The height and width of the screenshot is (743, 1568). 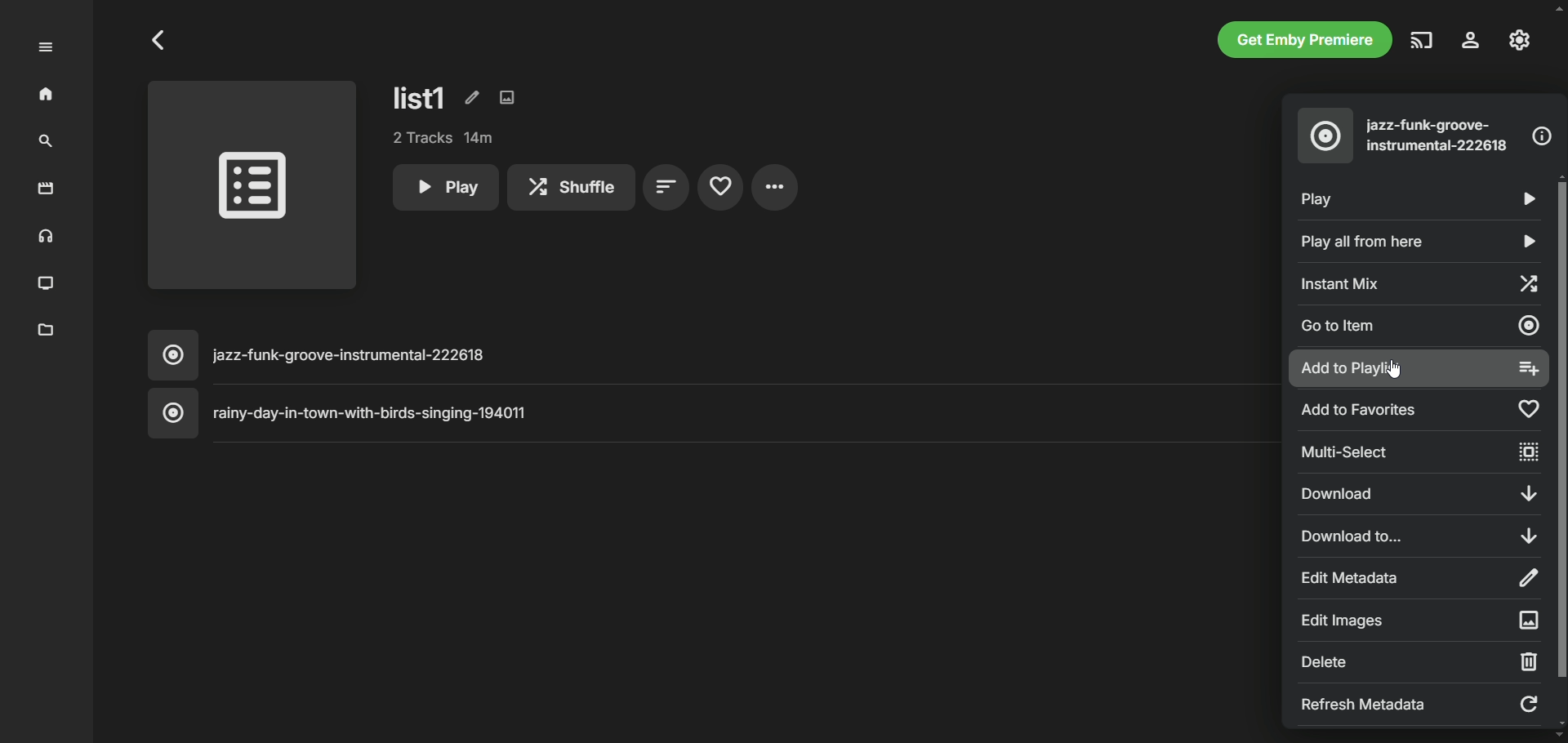 I want to click on edit images, so click(x=507, y=97).